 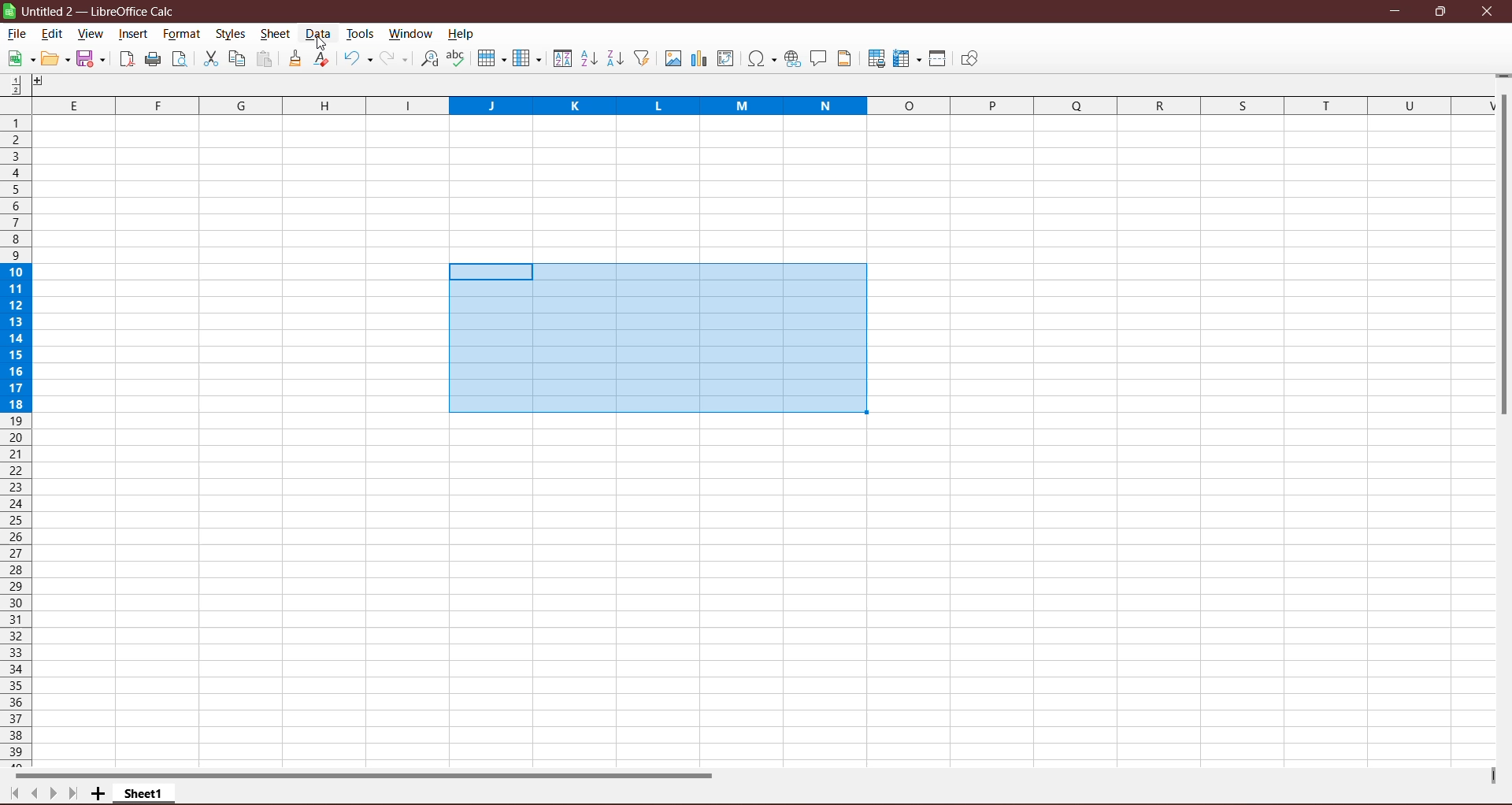 What do you see at coordinates (50, 792) in the screenshot?
I see `Scroll to next page` at bounding box center [50, 792].